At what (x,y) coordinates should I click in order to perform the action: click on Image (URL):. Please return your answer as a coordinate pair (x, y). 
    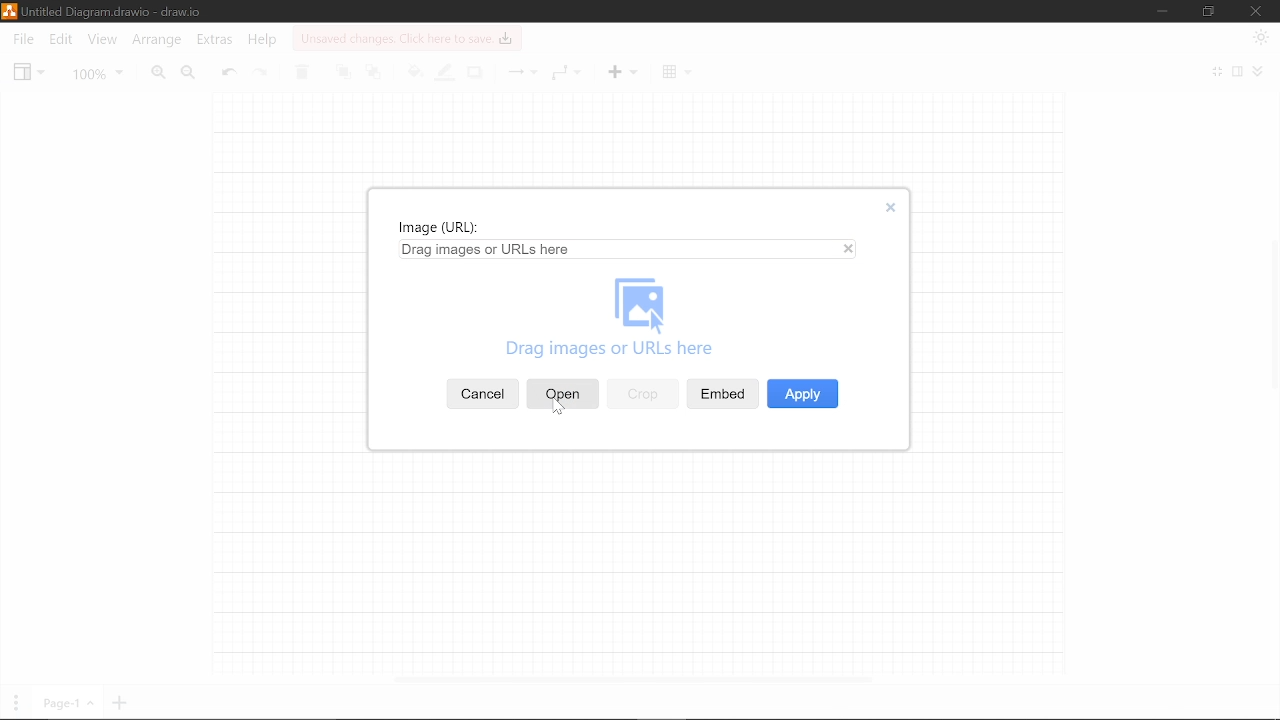
    Looking at the image, I should click on (440, 228).